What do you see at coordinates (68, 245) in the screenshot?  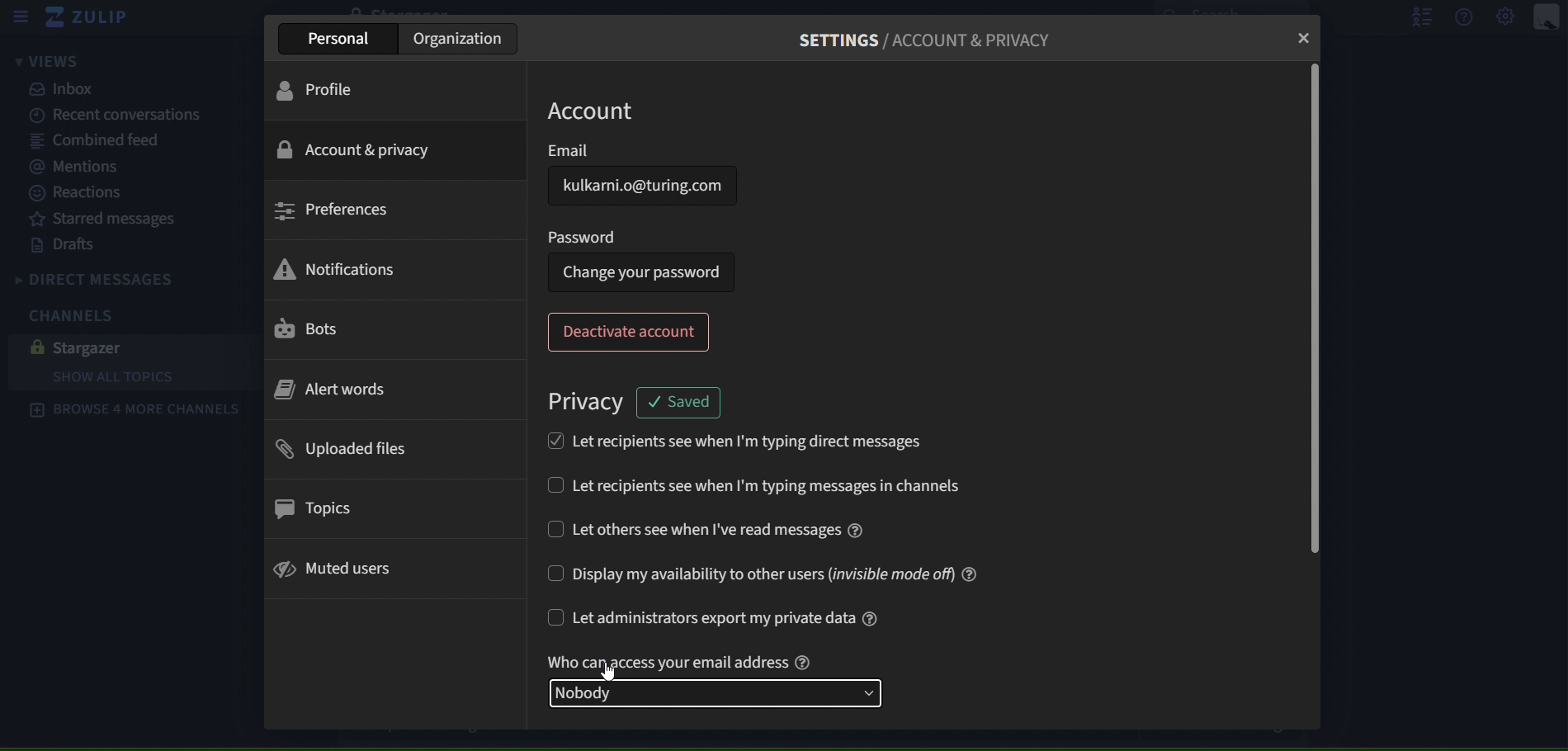 I see `drafts` at bounding box center [68, 245].